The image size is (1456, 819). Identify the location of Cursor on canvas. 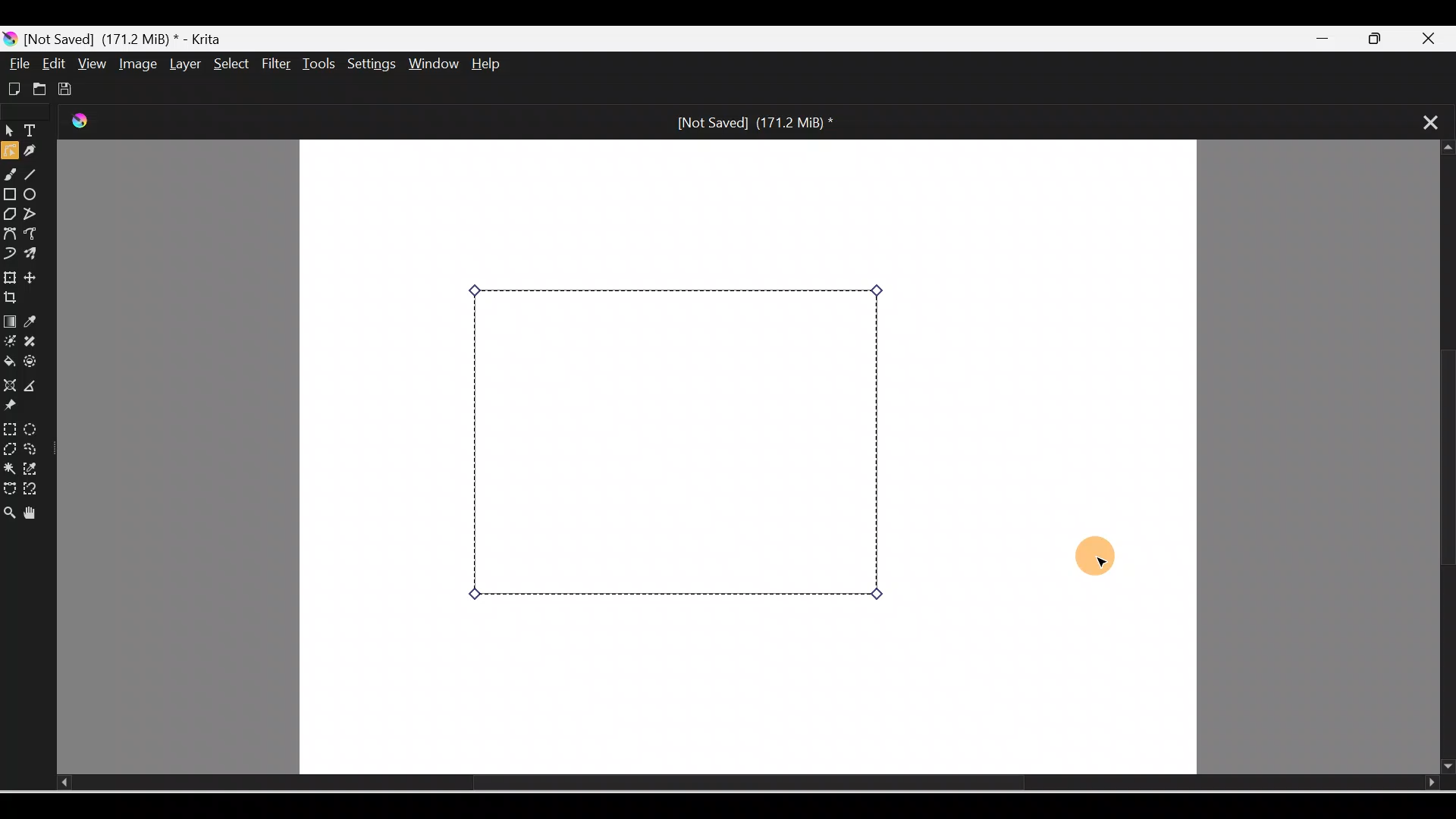
(1092, 558).